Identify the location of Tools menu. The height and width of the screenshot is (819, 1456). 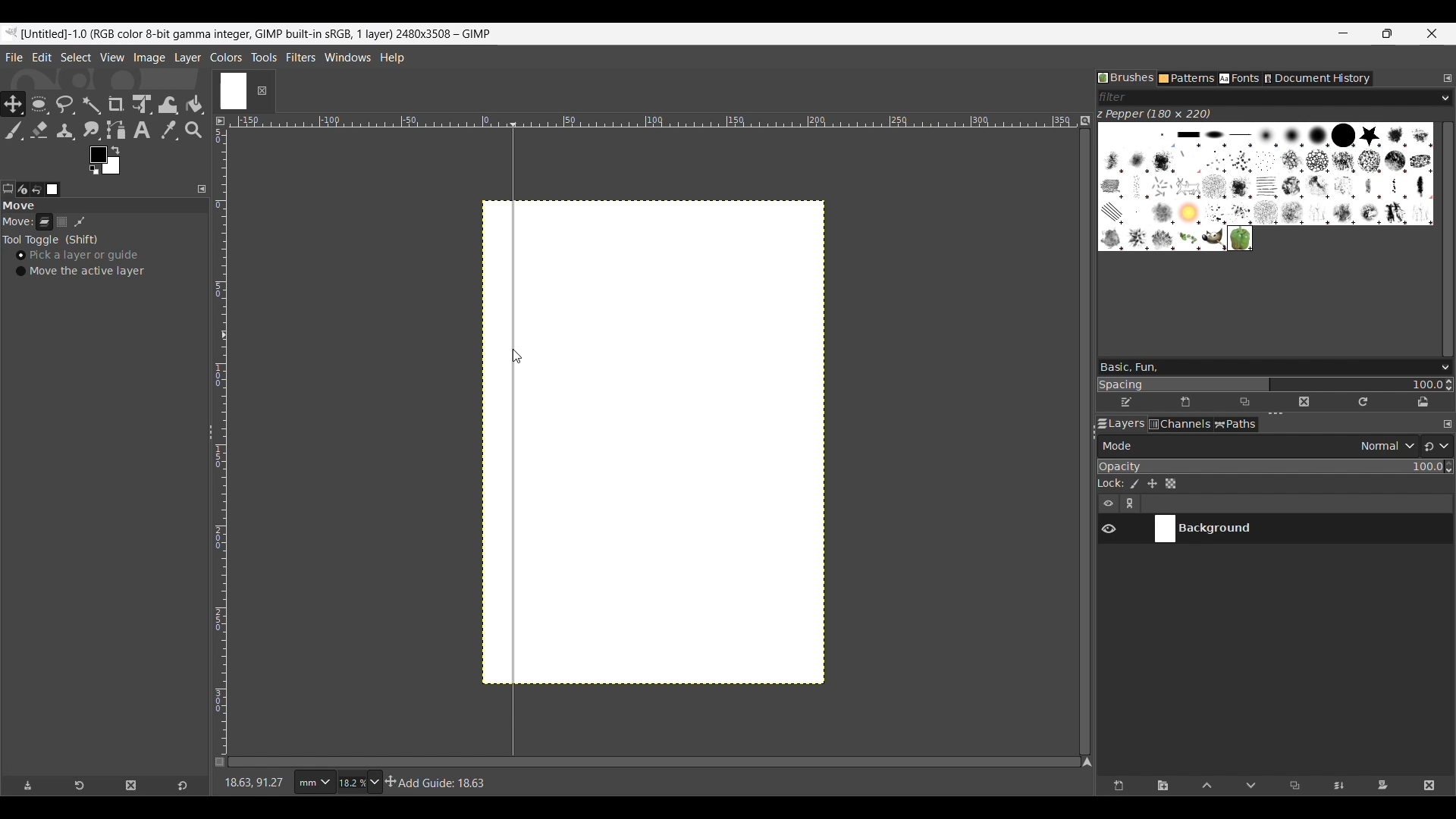
(264, 57).